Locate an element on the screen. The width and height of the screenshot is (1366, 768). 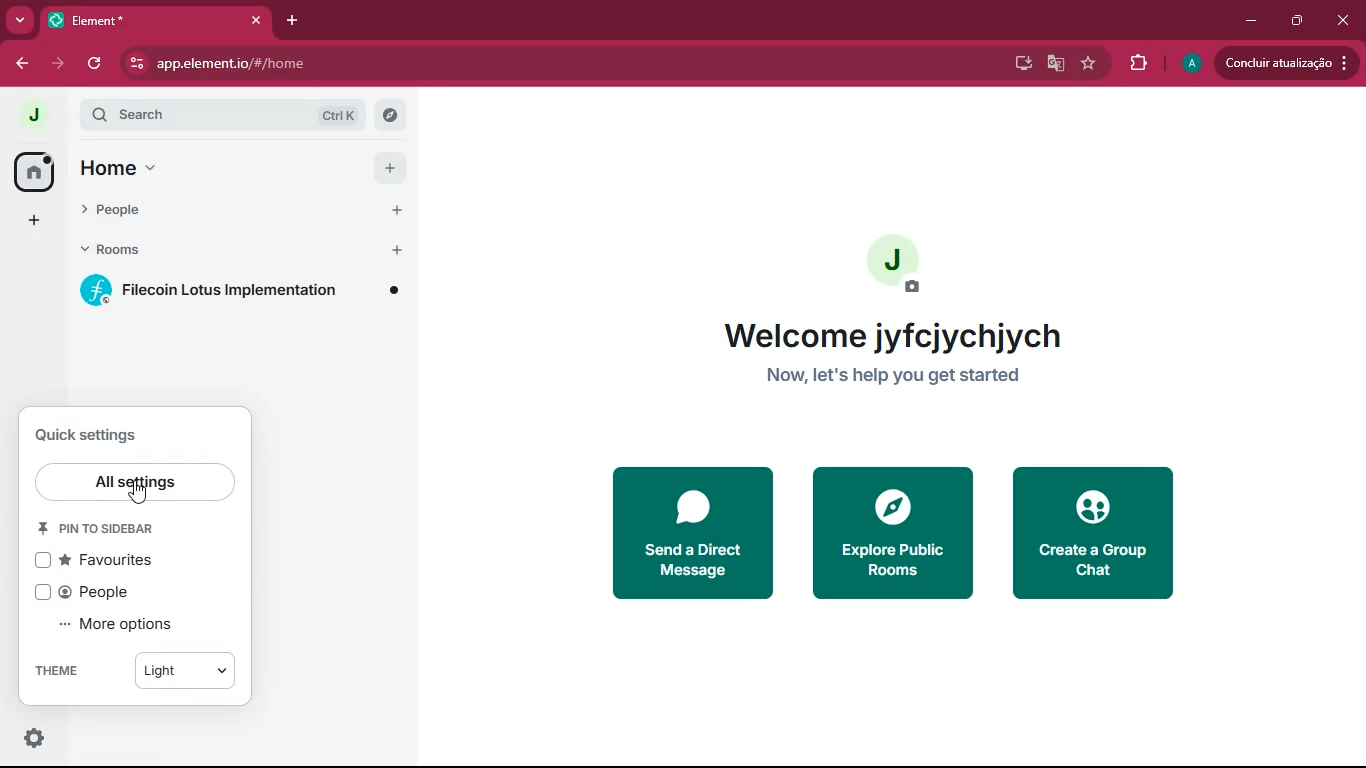
favourite is located at coordinates (1090, 65).